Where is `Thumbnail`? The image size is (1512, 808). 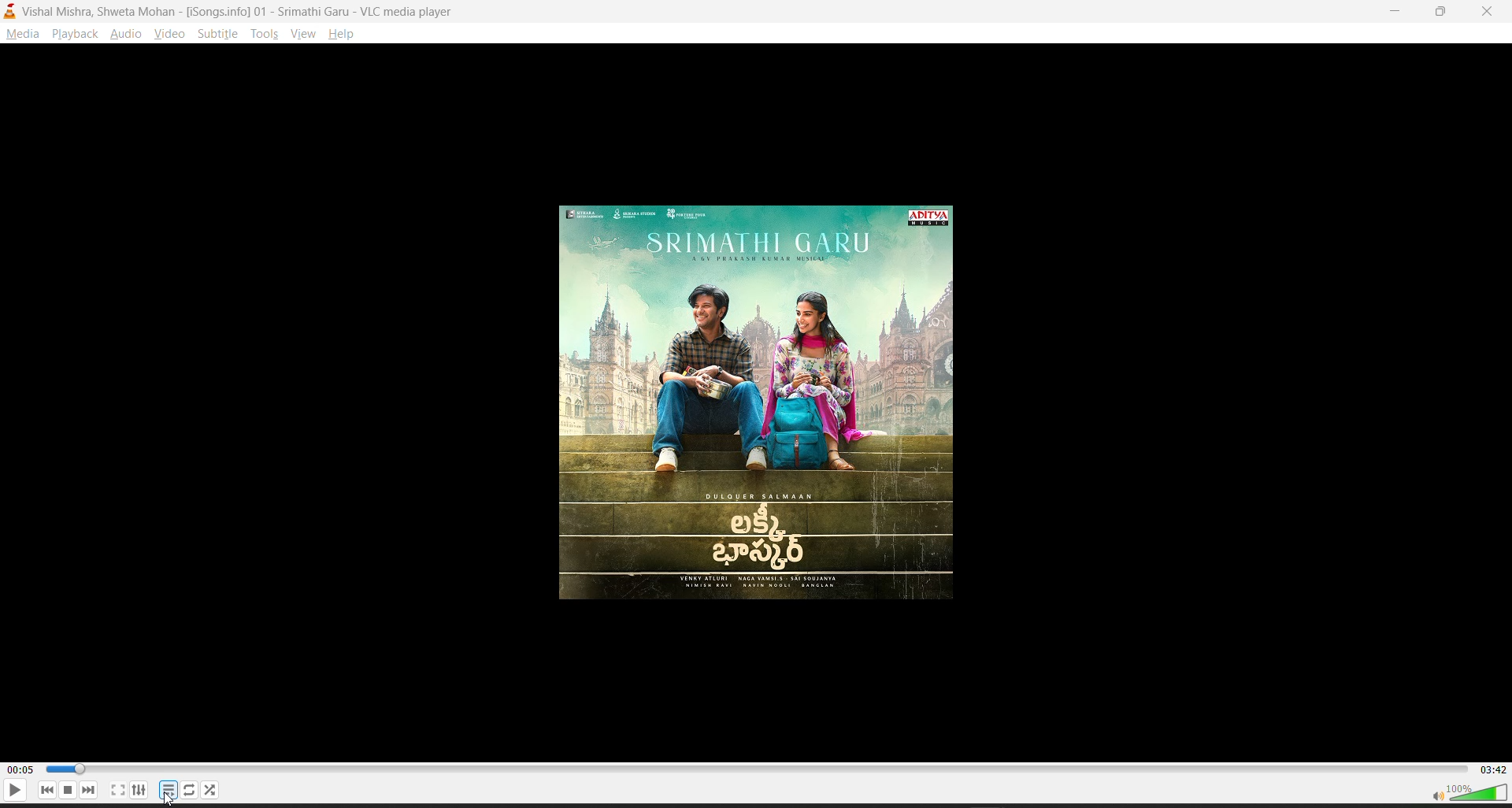 Thumbnail is located at coordinates (758, 402).